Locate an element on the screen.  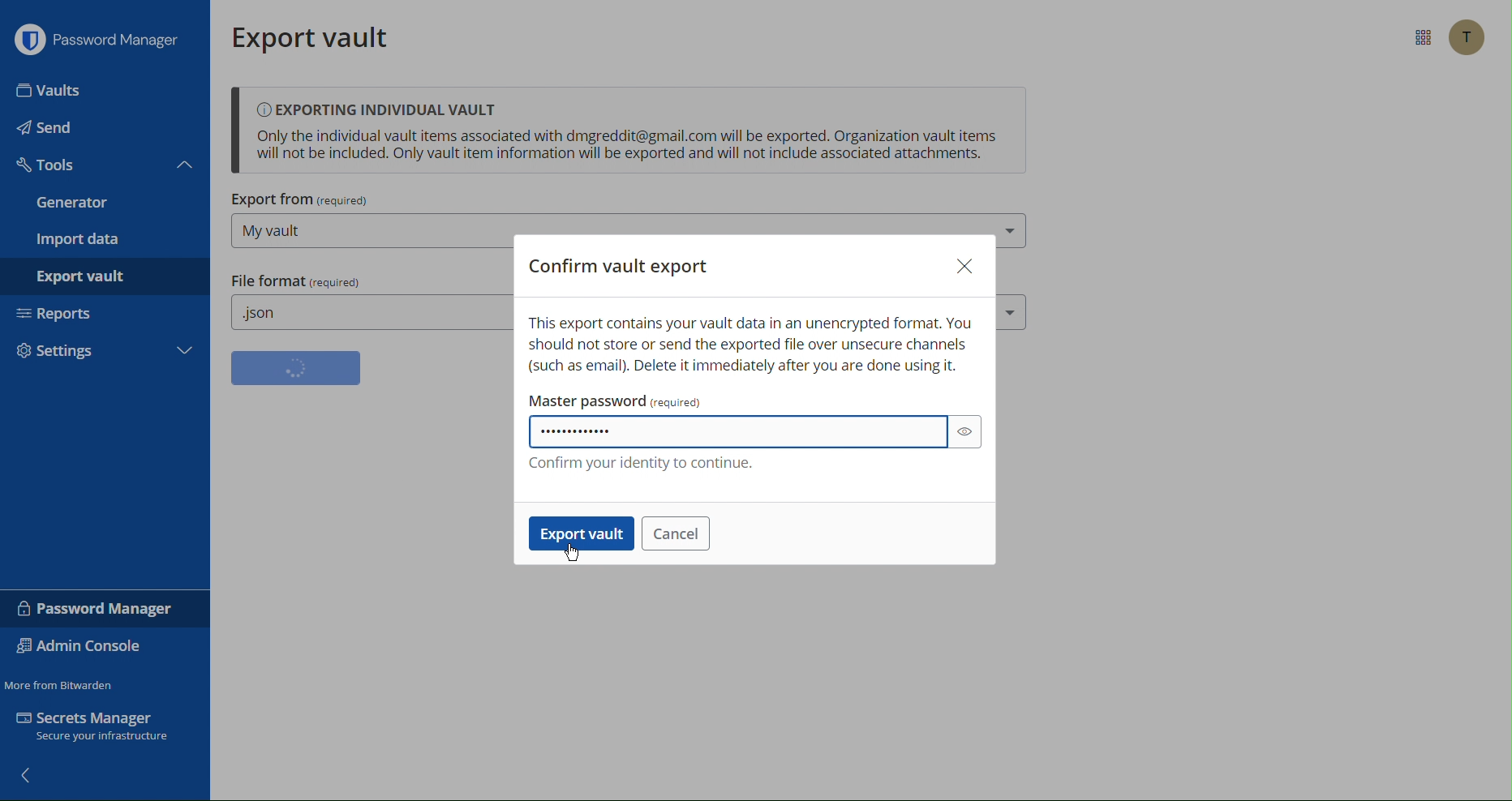
Confirm vault export is located at coordinates (620, 260).